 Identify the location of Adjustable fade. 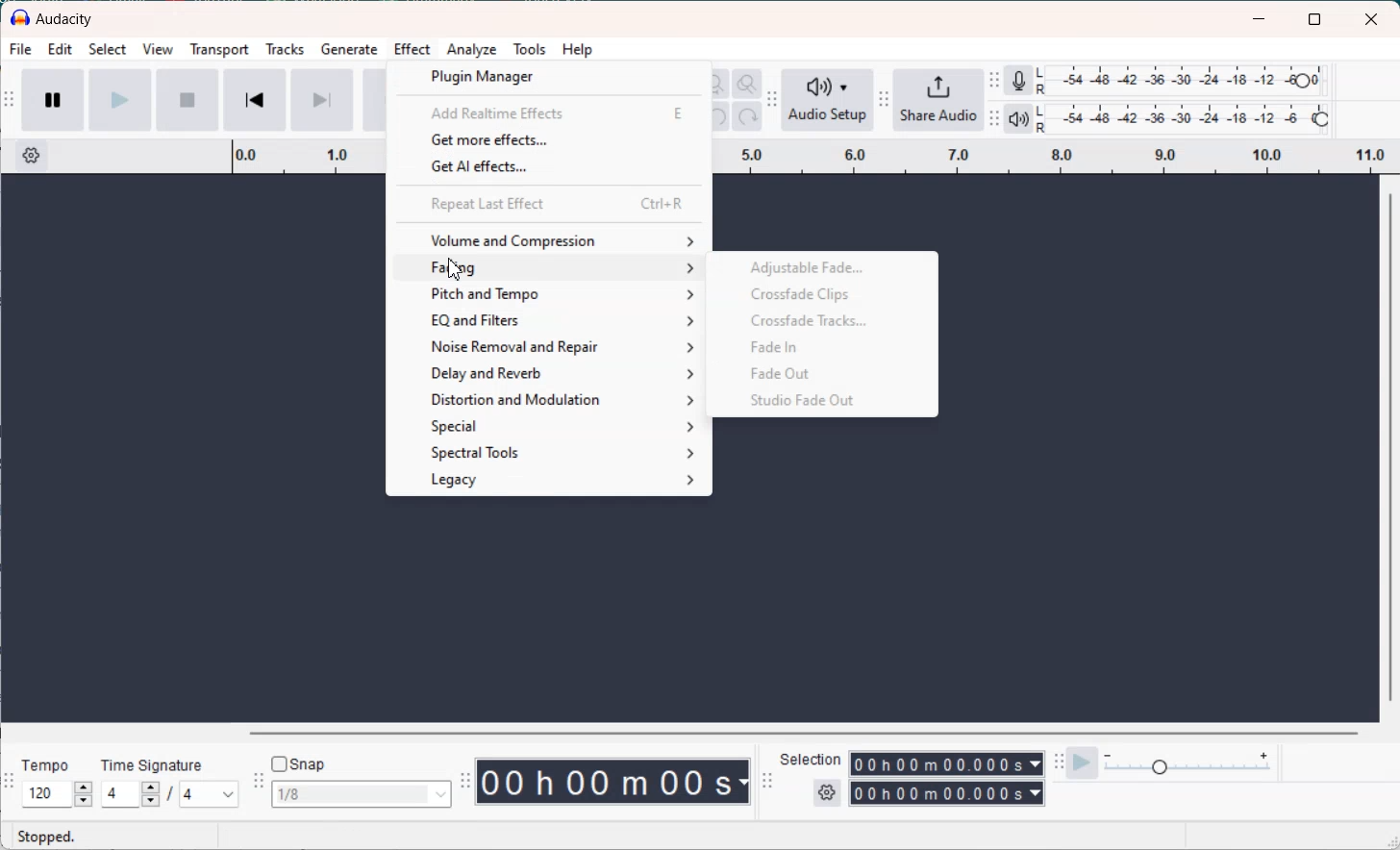
(818, 266).